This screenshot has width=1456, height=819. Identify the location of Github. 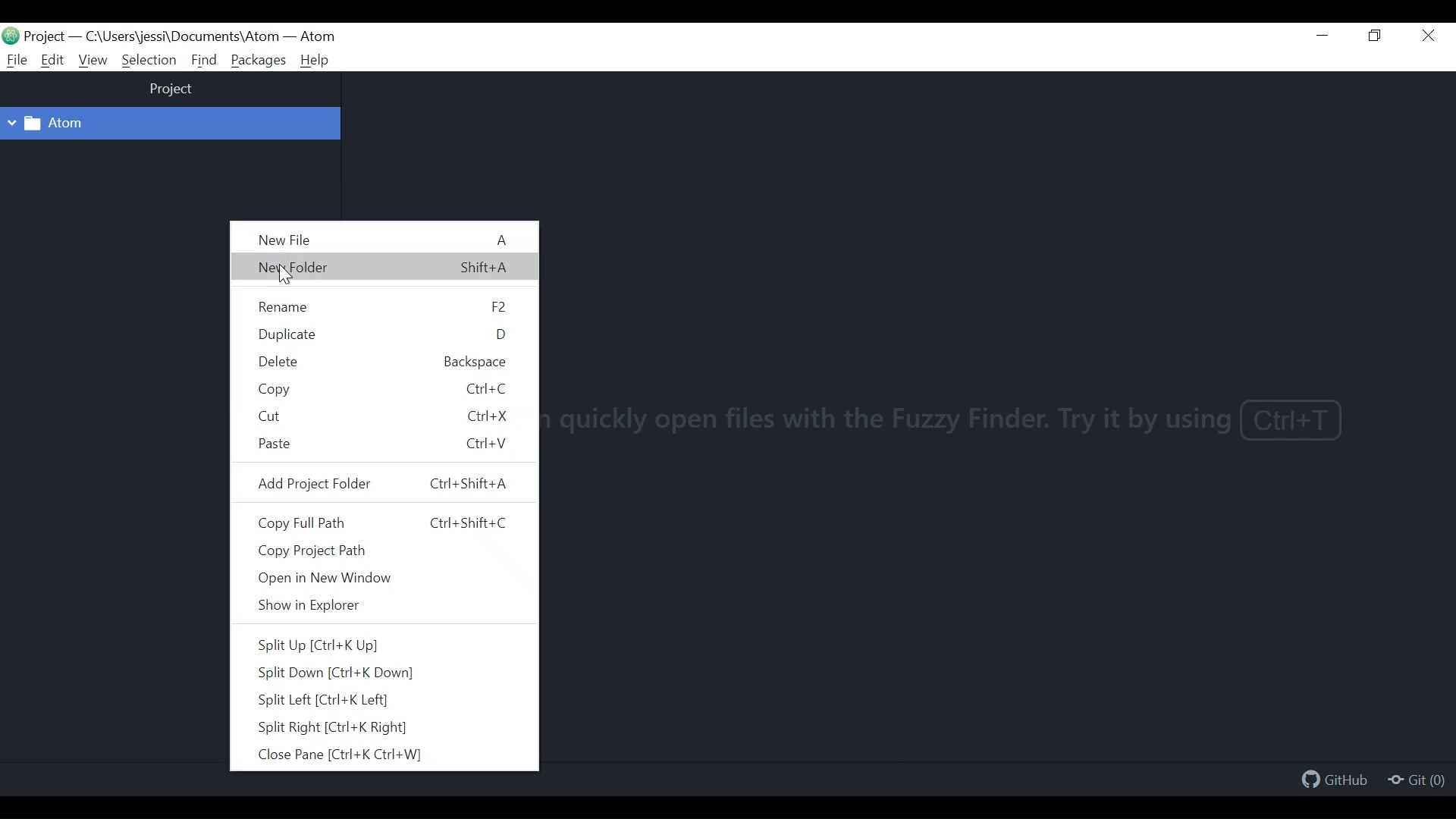
(1336, 782).